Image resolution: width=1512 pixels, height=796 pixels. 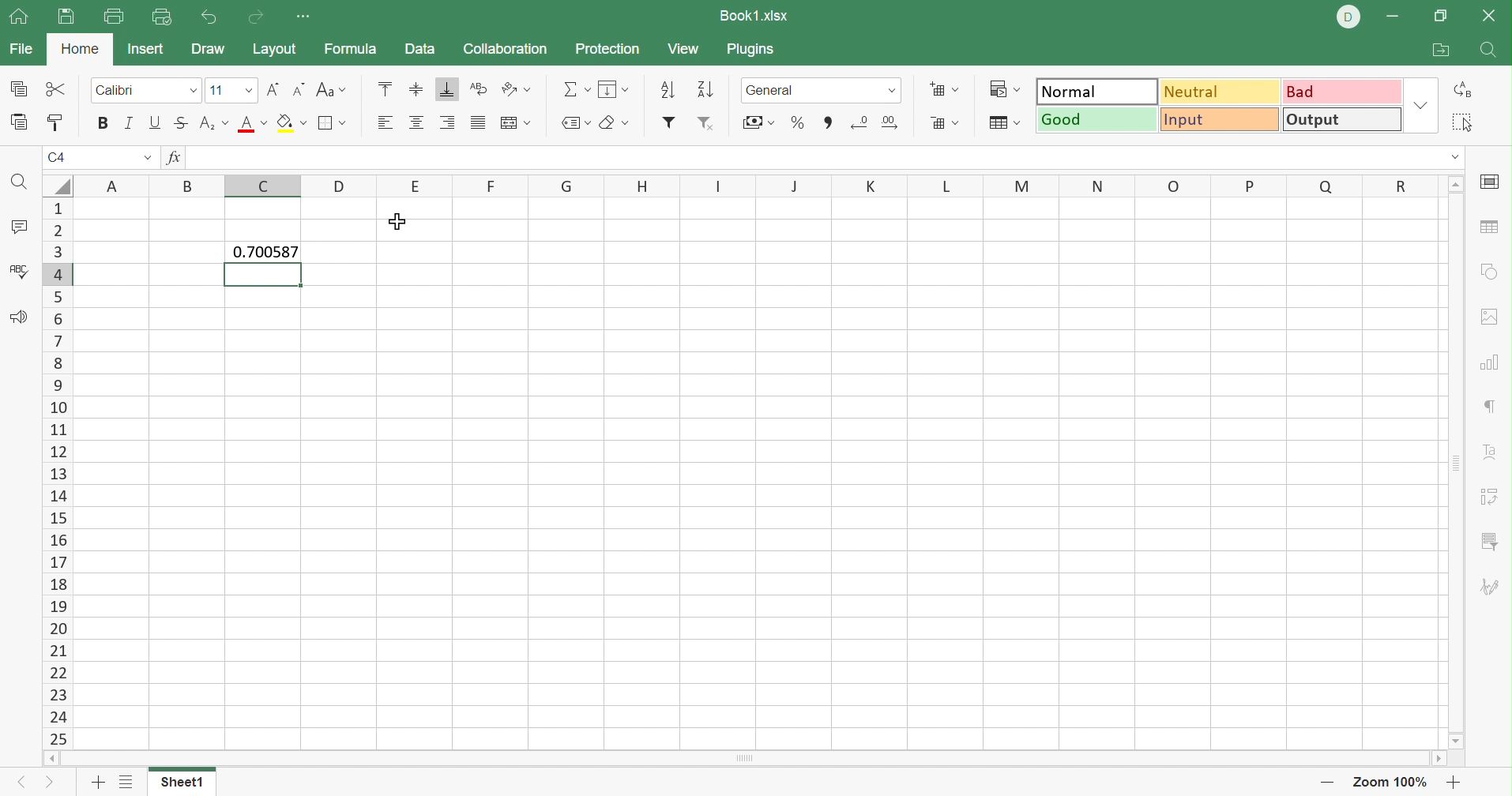 What do you see at coordinates (181, 123) in the screenshot?
I see `Strikethrough` at bounding box center [181, 123].